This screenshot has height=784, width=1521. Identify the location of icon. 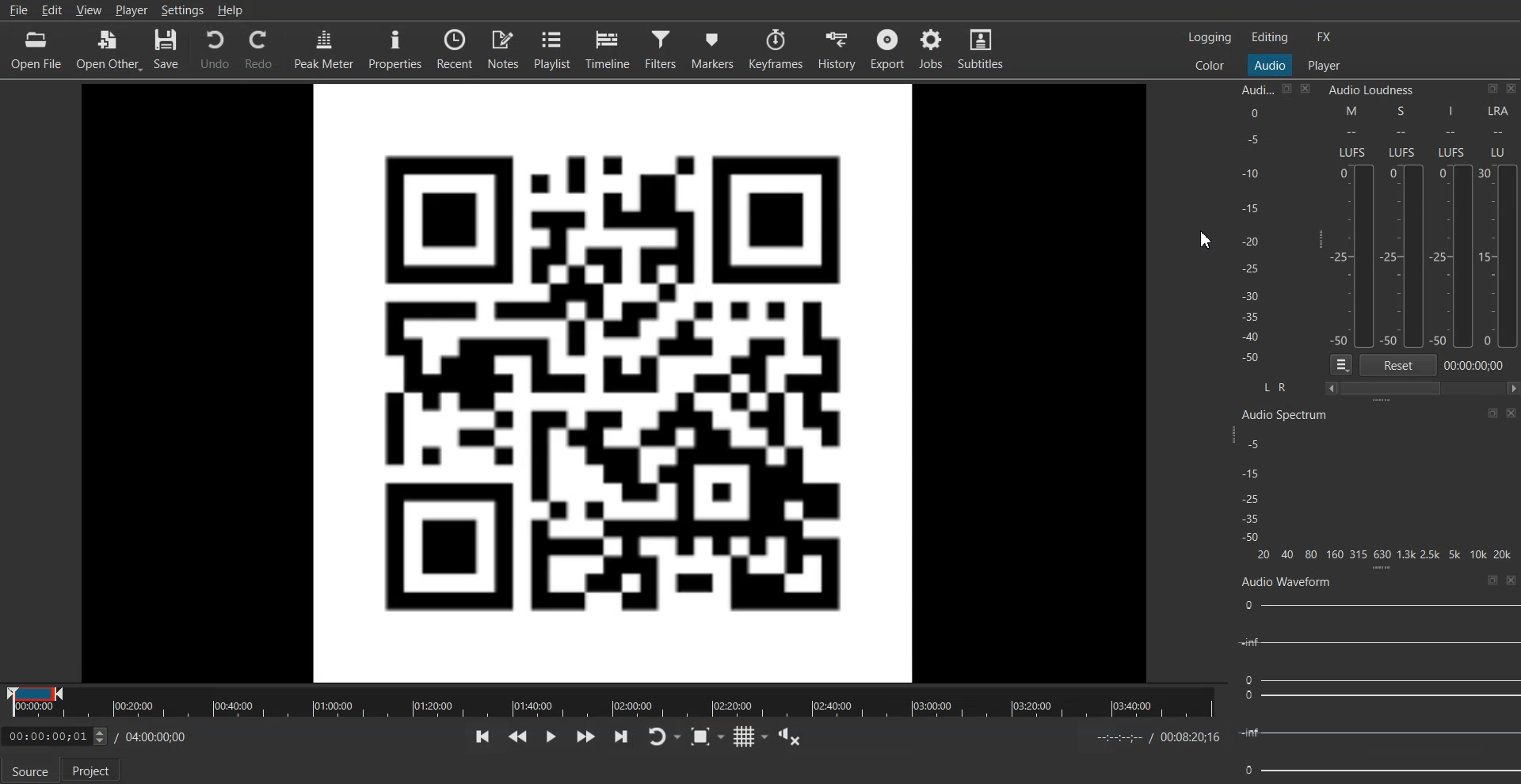
(1491, 413).